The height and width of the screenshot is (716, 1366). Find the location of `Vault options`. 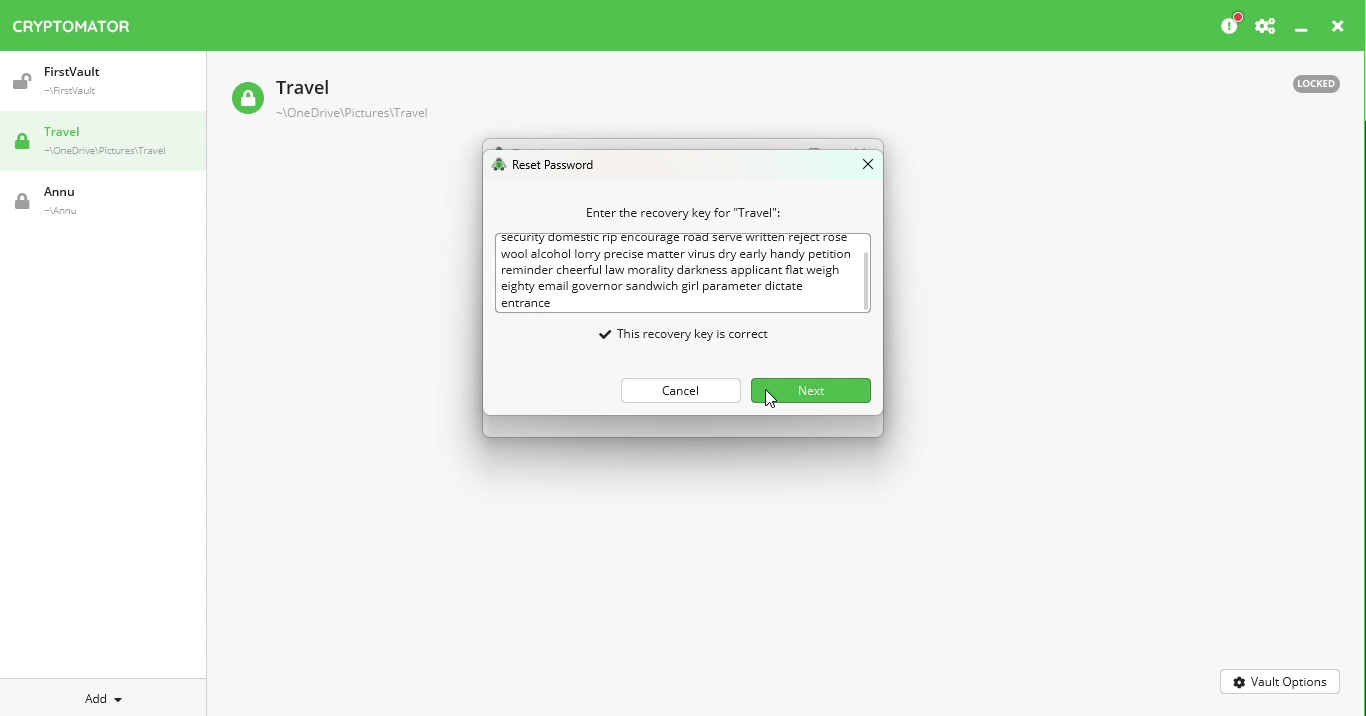

Vault options is located at coordinates (1281, 680).